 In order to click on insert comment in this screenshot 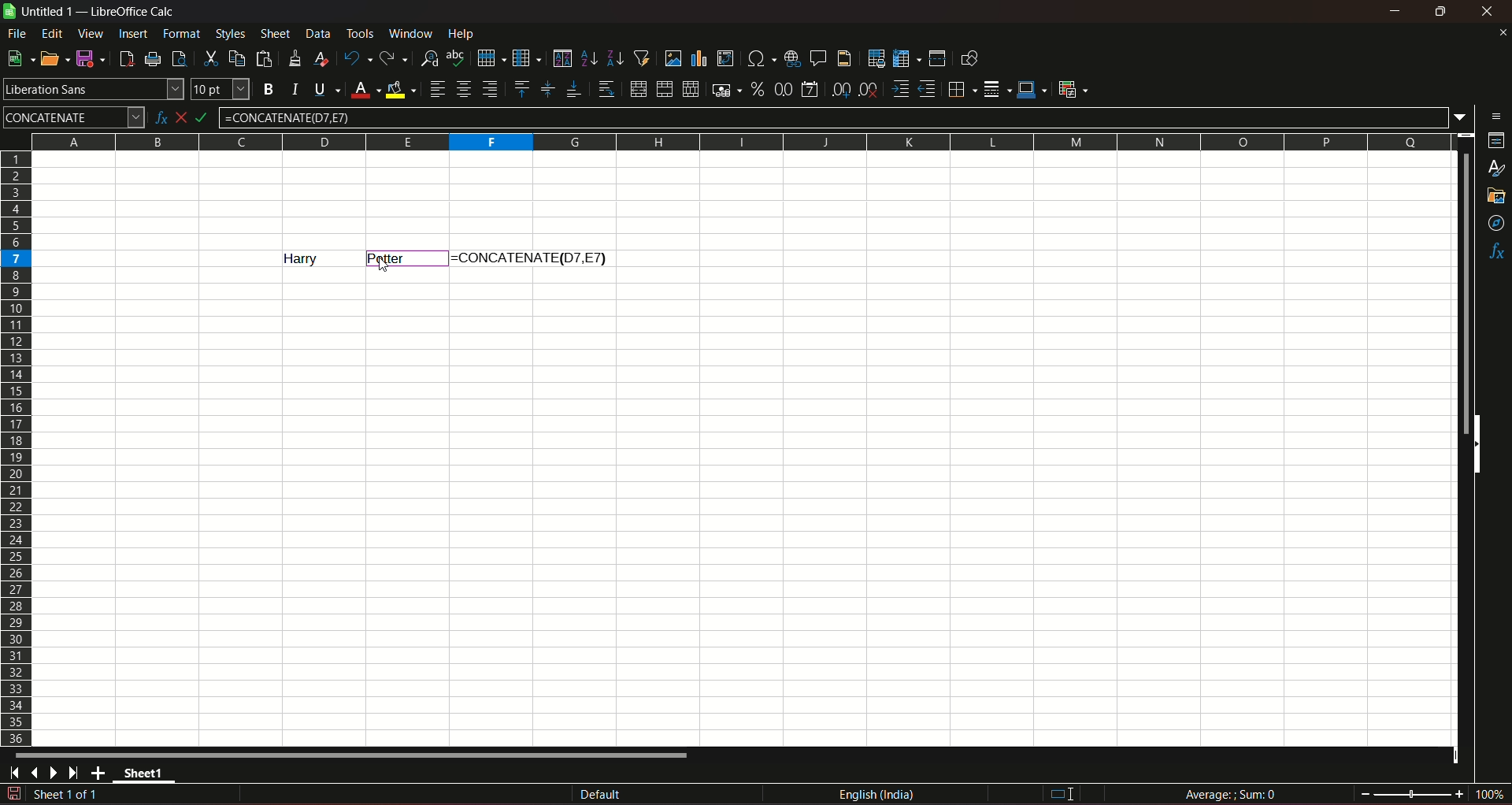, I will do `click(817, 57)`.